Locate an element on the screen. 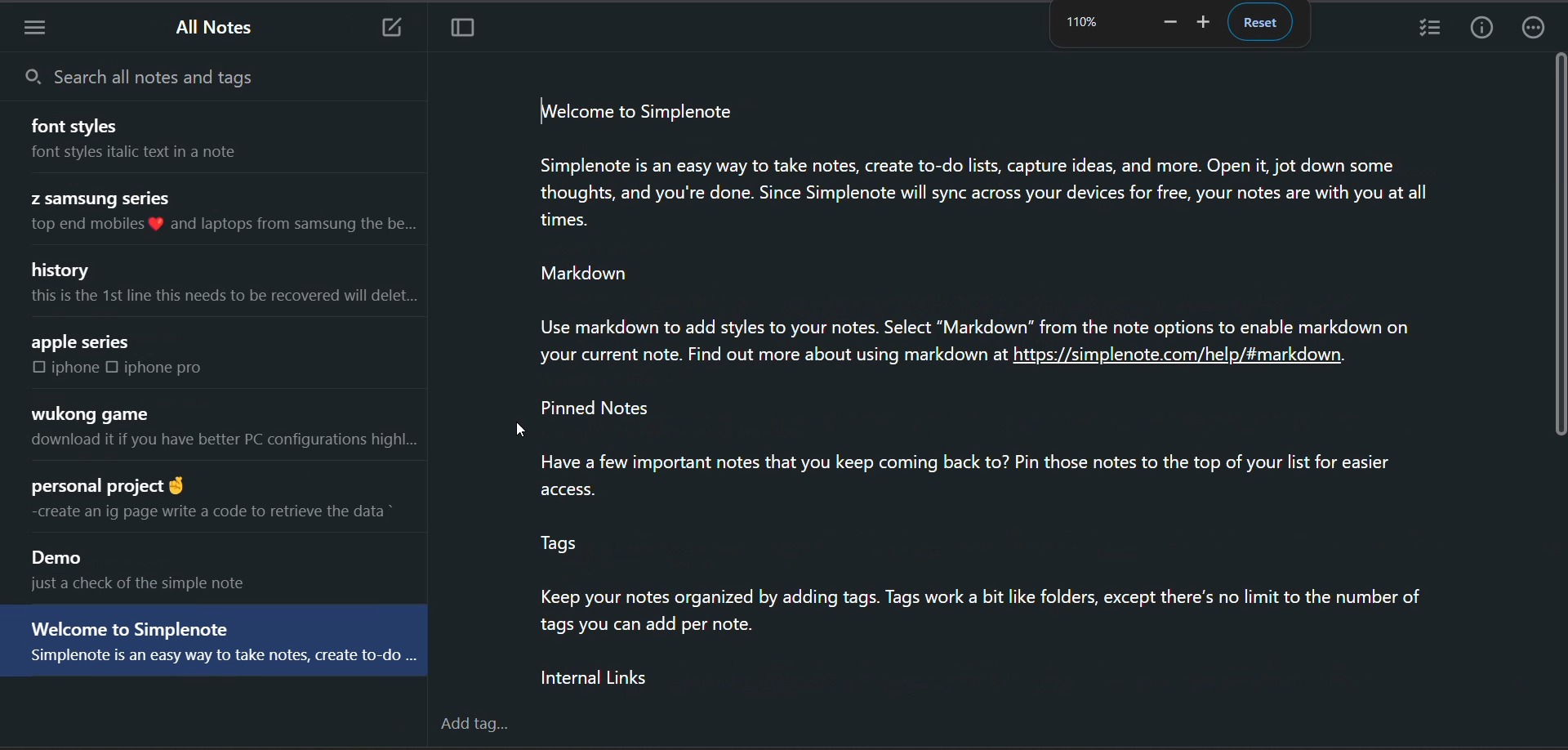 This screenshot has width=1568, height=750. apple series is located at coordinates (81, 342).